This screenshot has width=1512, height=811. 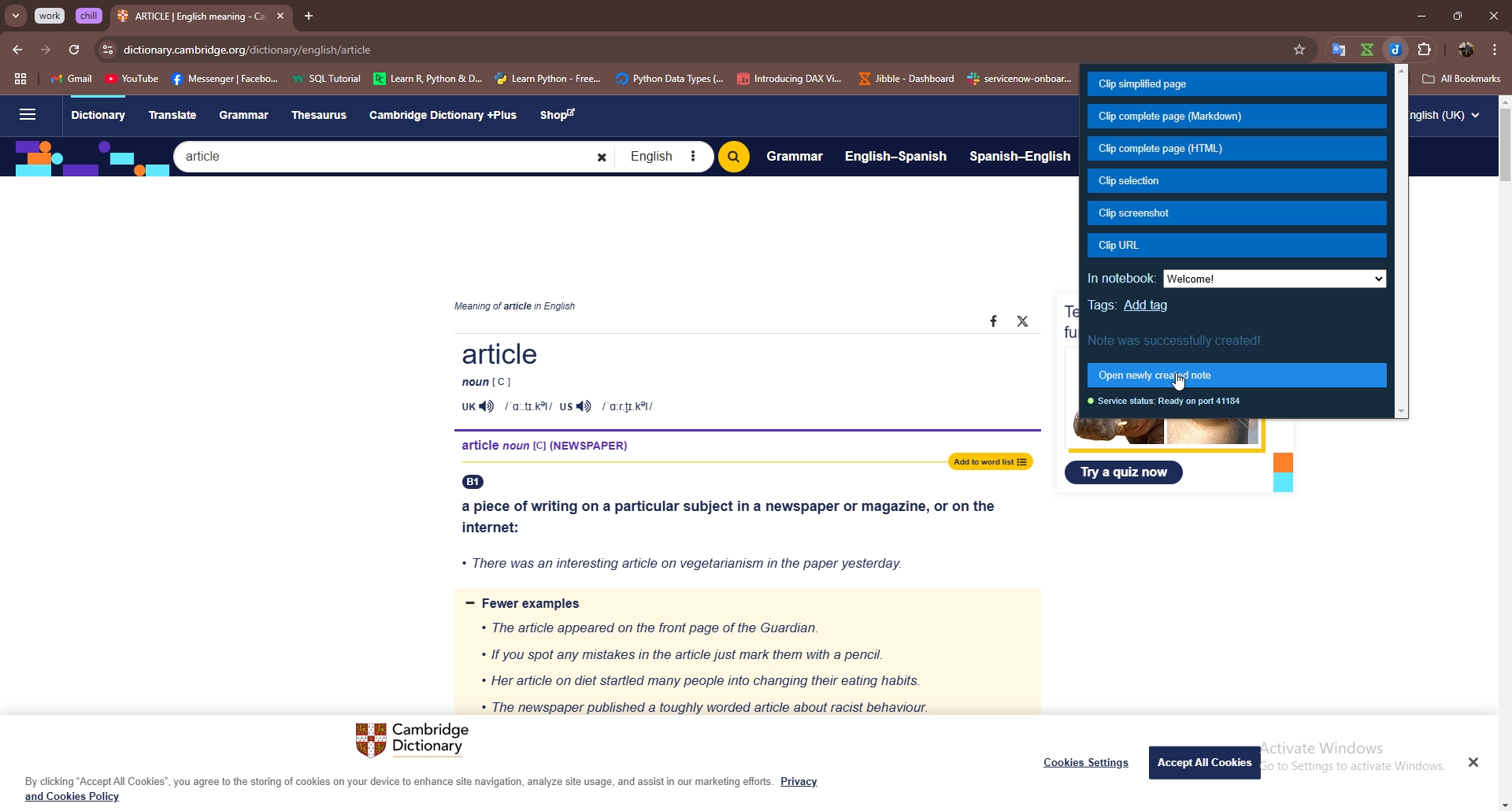 I want to click on open newly created note, so click(x=1239, y=376).